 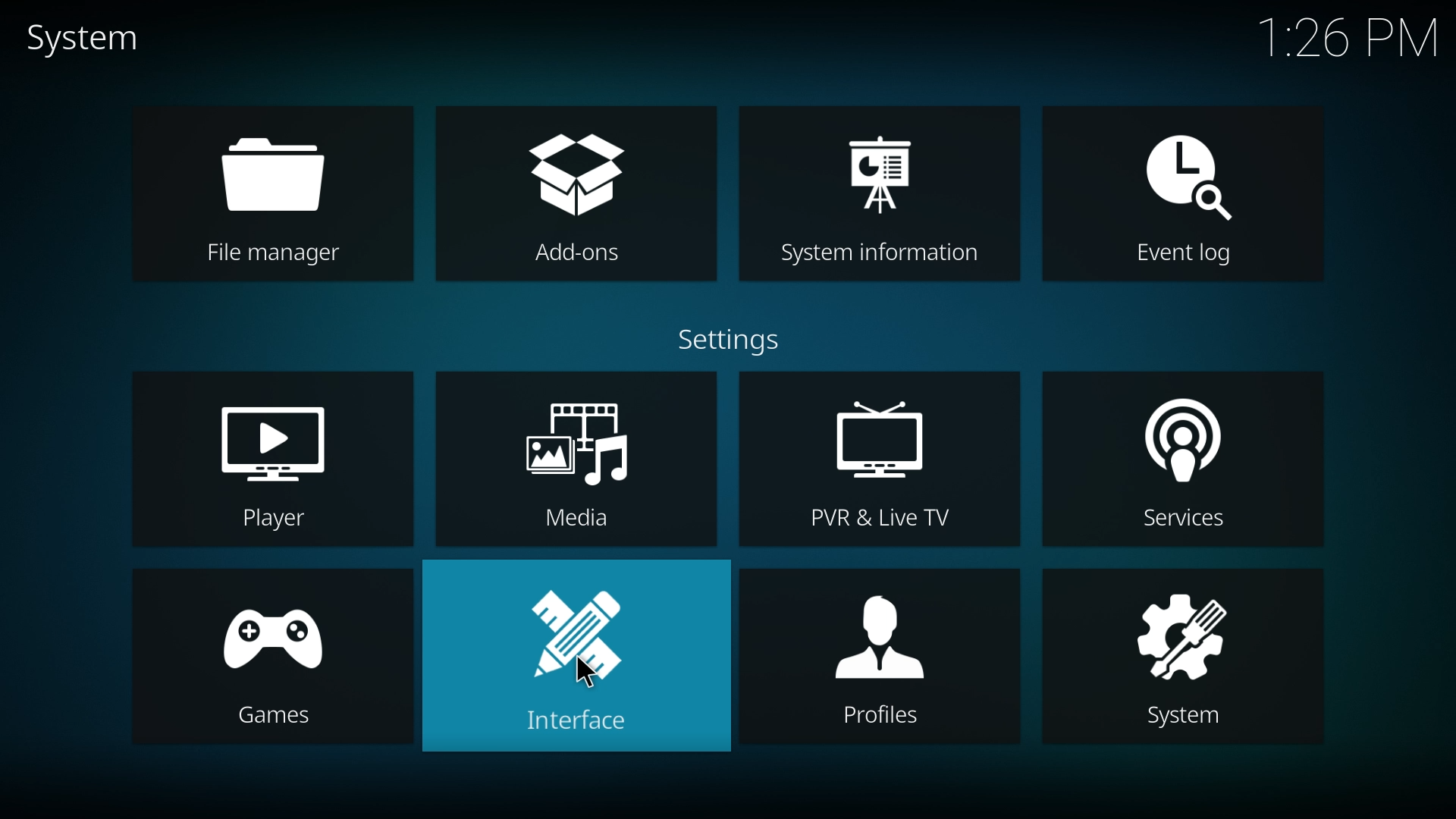 What do you see at coordinates (1181, 193) in the screenshot?
I see `event log` at bounding box center [1181, 193].